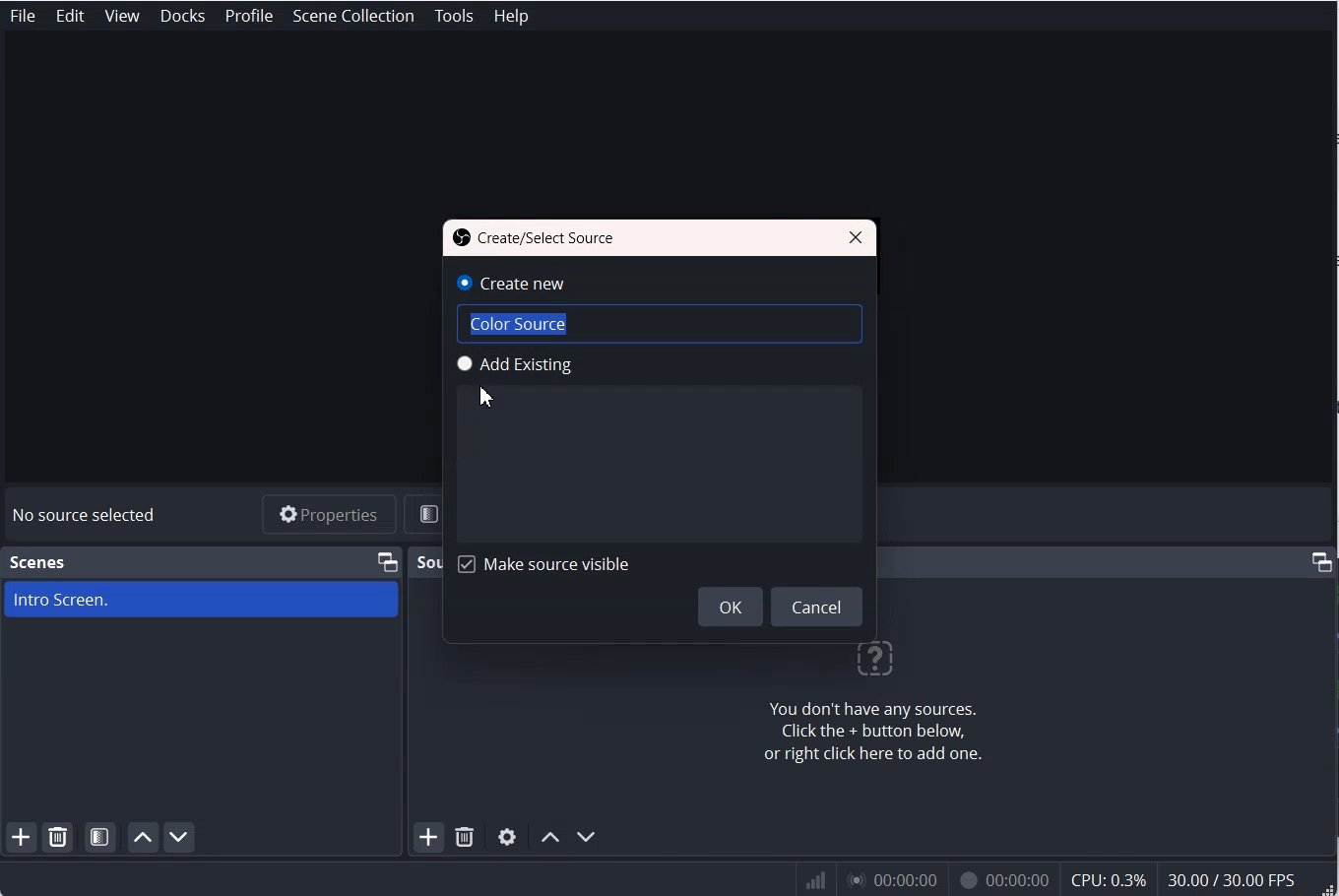  What do you see at coordinates (1110, 880) in the screenshot?
I see `CPU` at bounding box center [1110, 880].